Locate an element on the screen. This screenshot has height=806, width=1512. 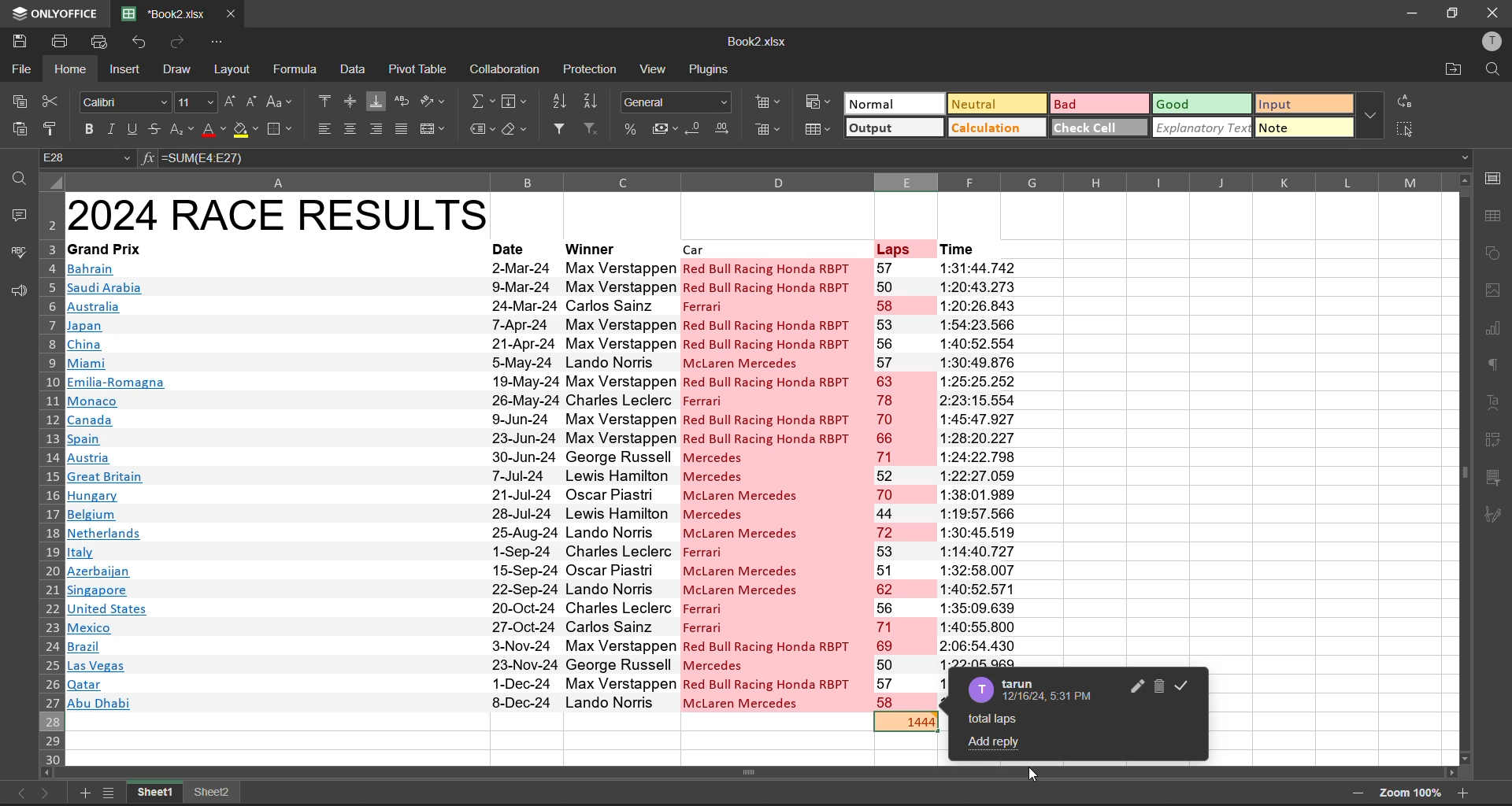
bold is located at coordinates (86, 128).